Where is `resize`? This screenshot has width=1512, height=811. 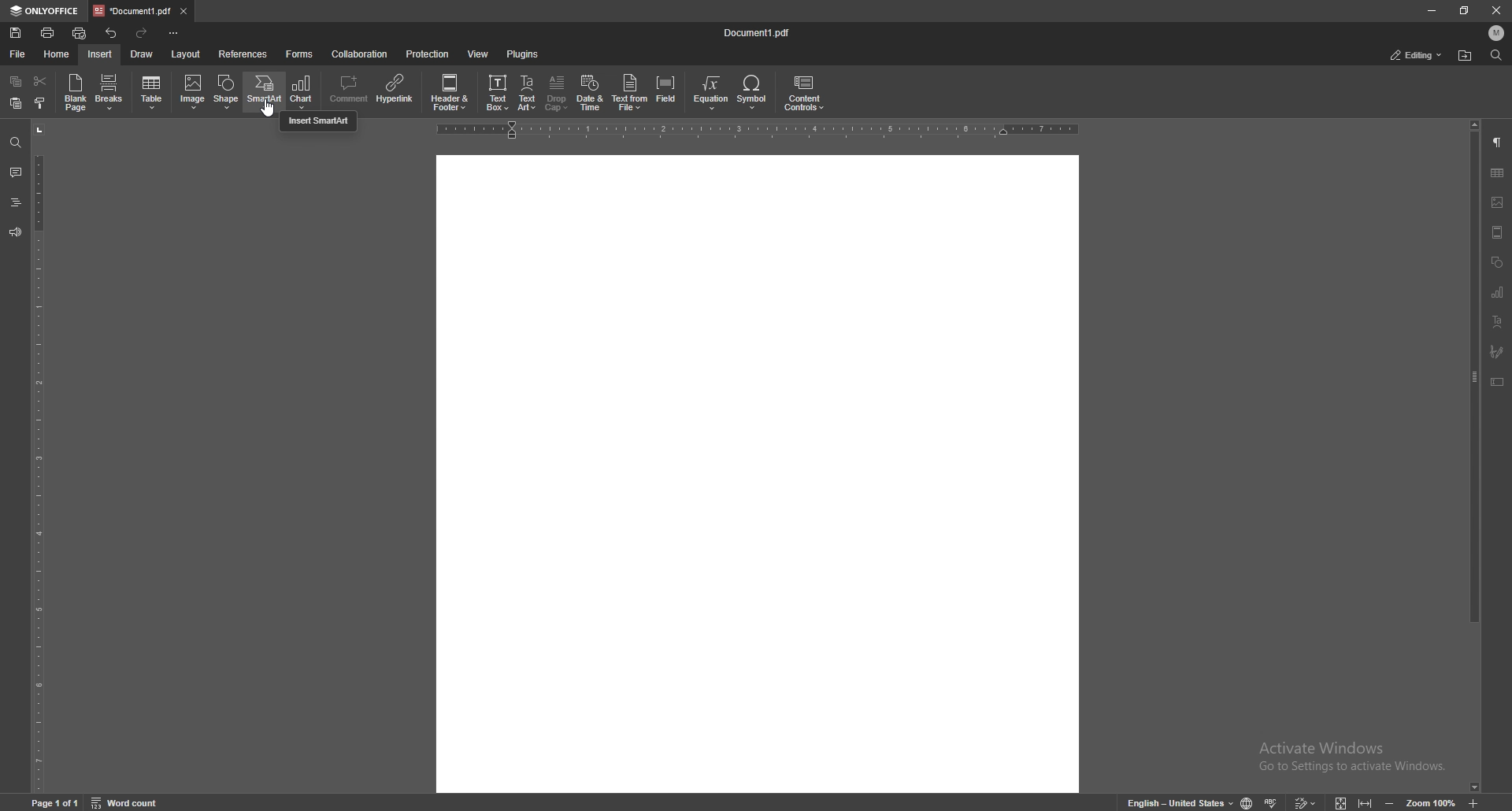 resize is located at coordinates (1464, 10).